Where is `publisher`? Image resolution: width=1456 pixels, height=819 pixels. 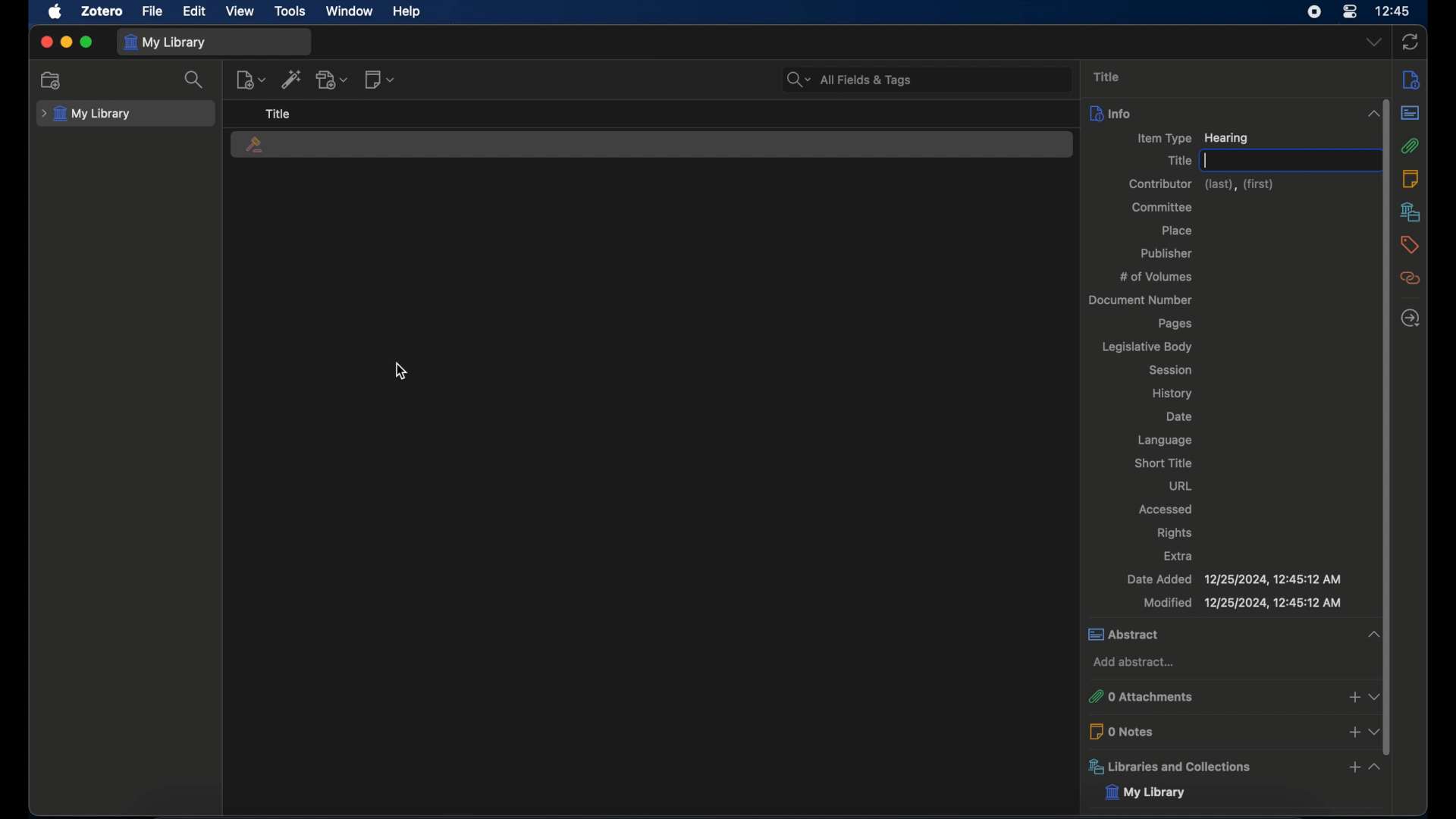 publisher is located at coordinates (1168, 253).